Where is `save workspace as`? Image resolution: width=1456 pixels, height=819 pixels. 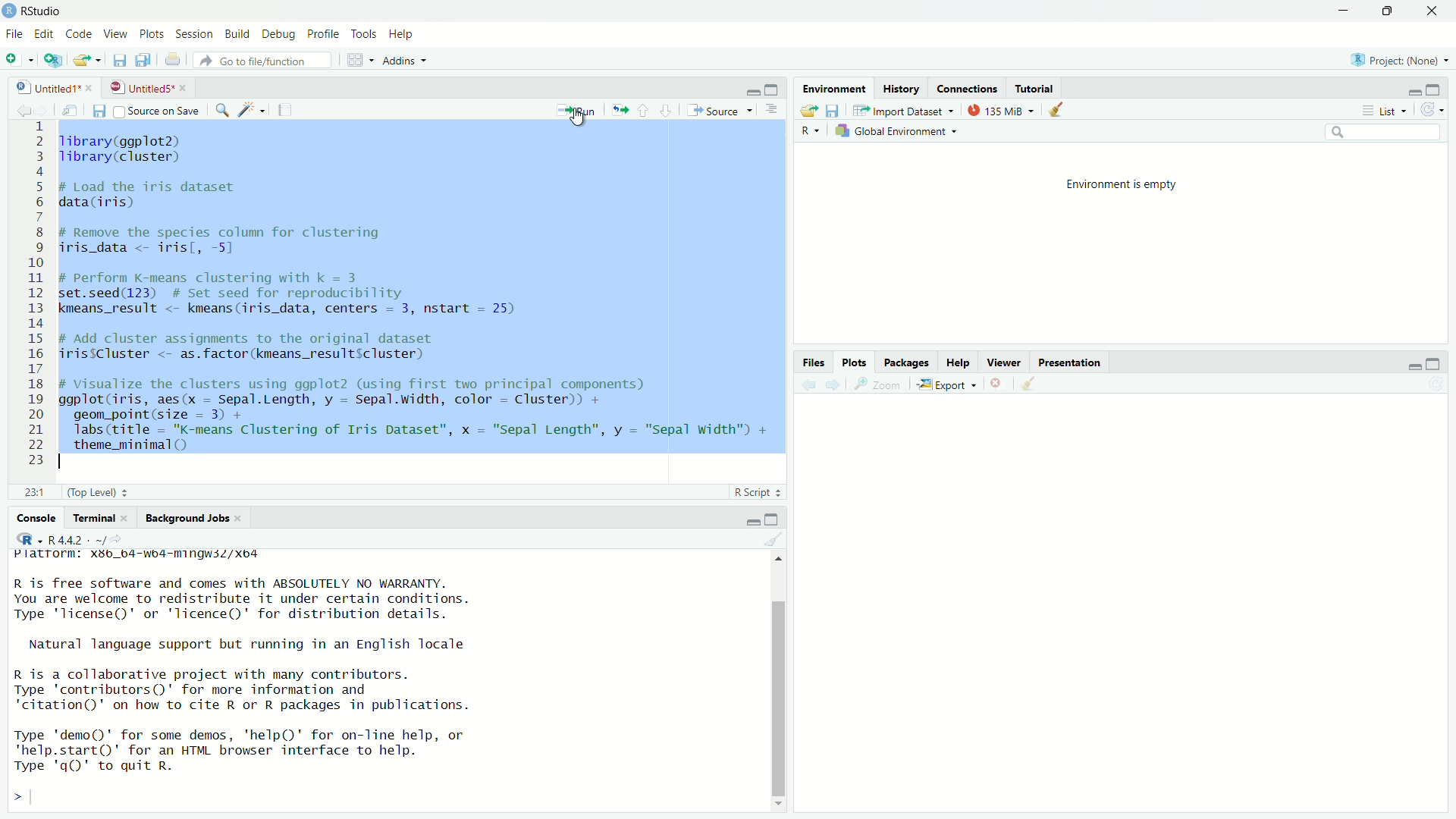
save workspace as is located at coordinates (834, 111).